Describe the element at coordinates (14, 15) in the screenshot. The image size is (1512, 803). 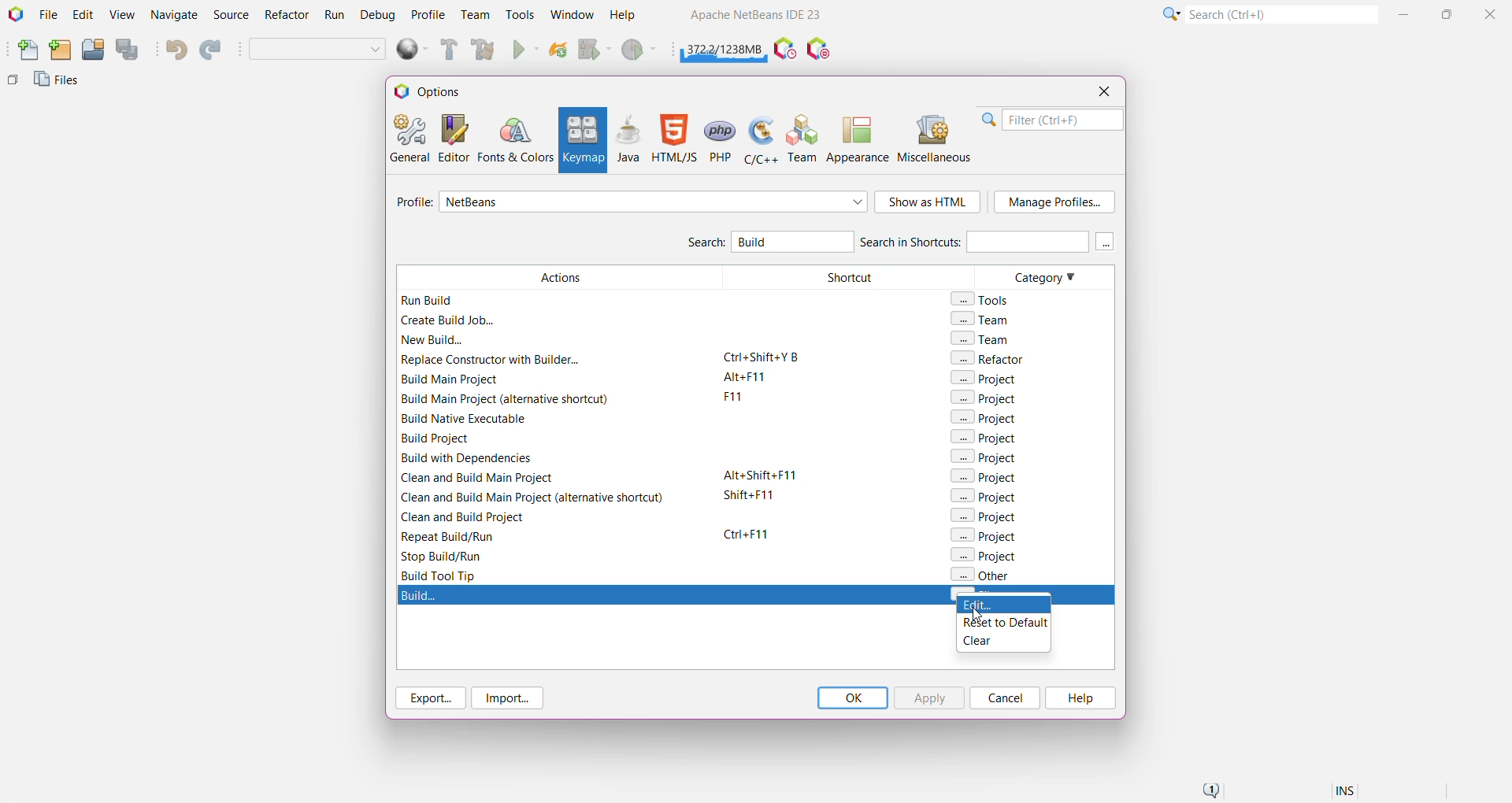
I see `Application Logo` at that location.